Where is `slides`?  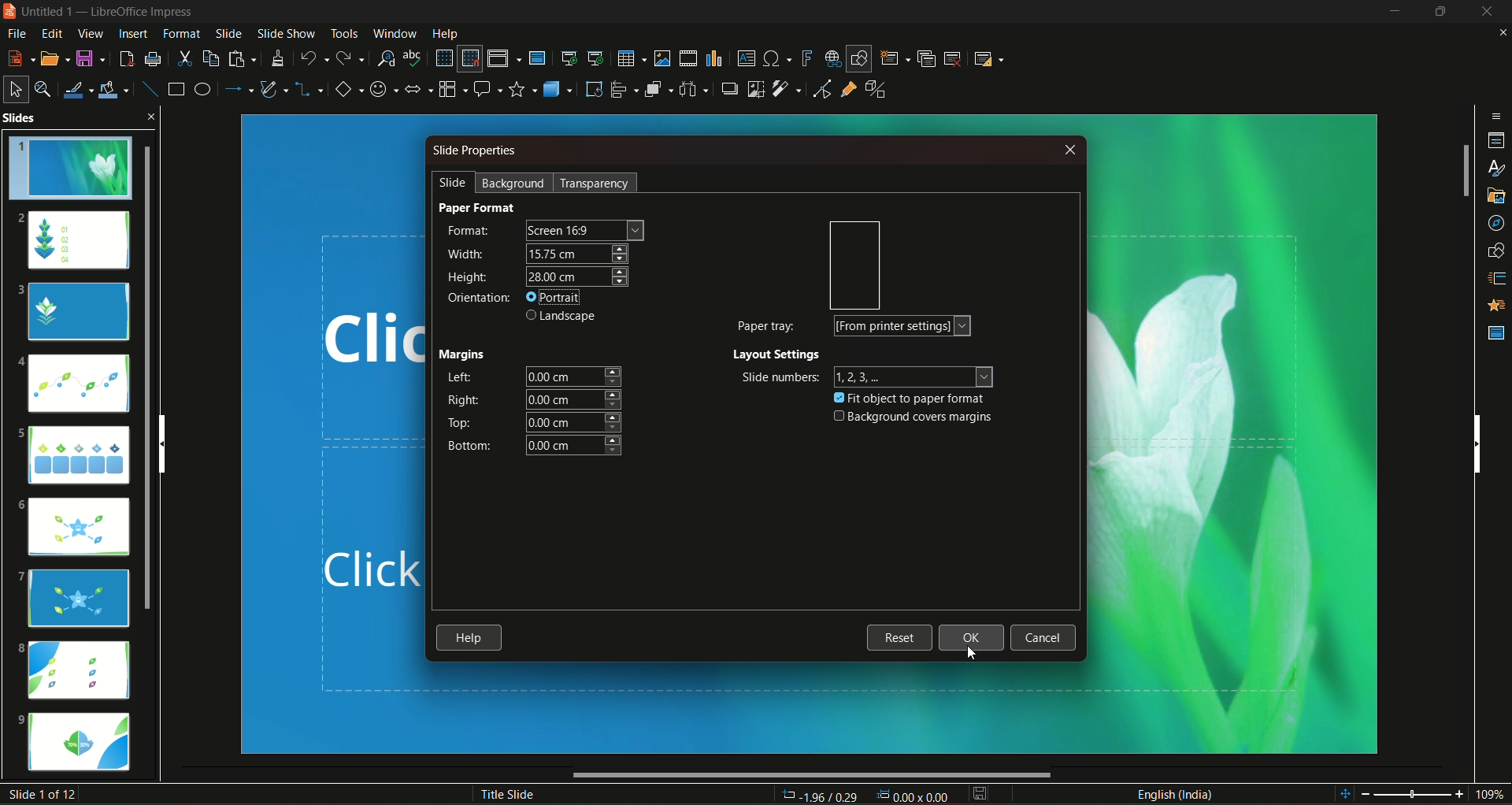 slides is located at coordinates (65, 119).